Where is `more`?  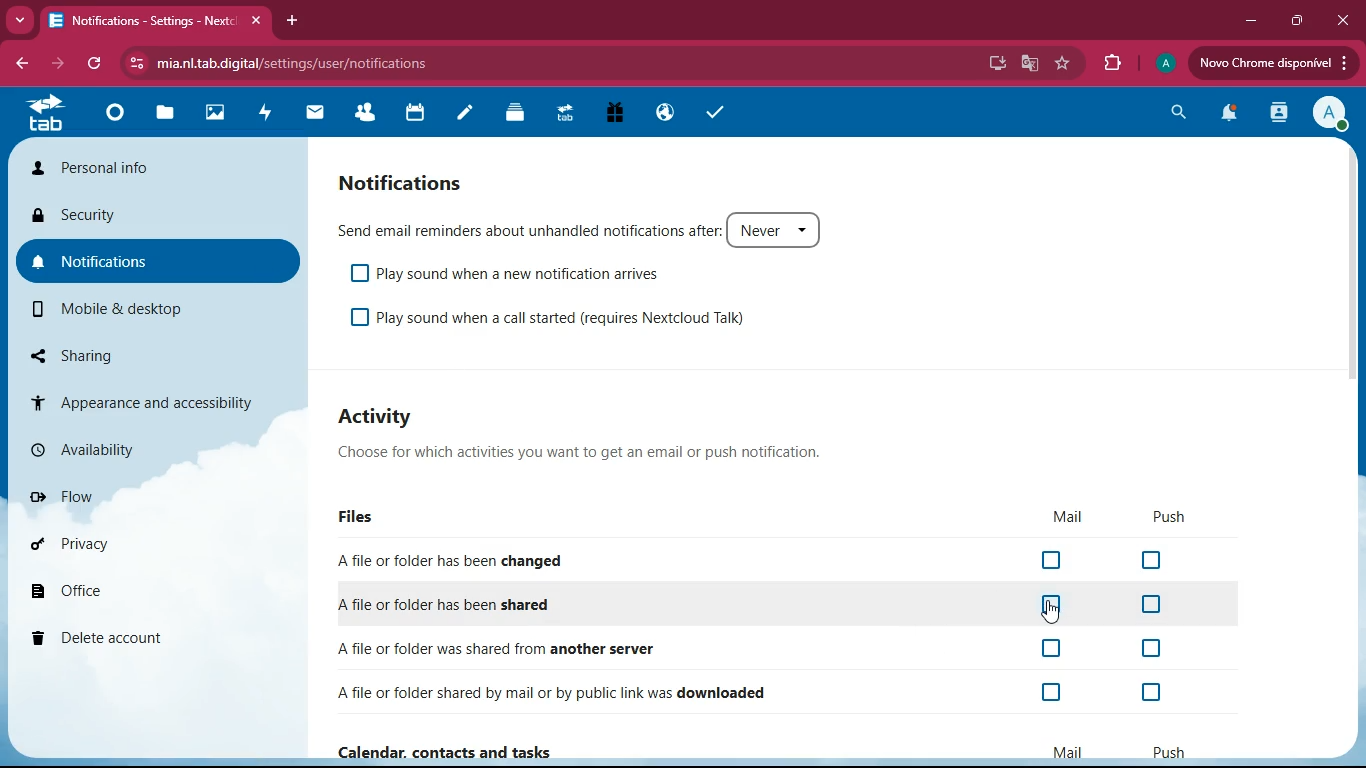 more is located at coordinates (20, 18).